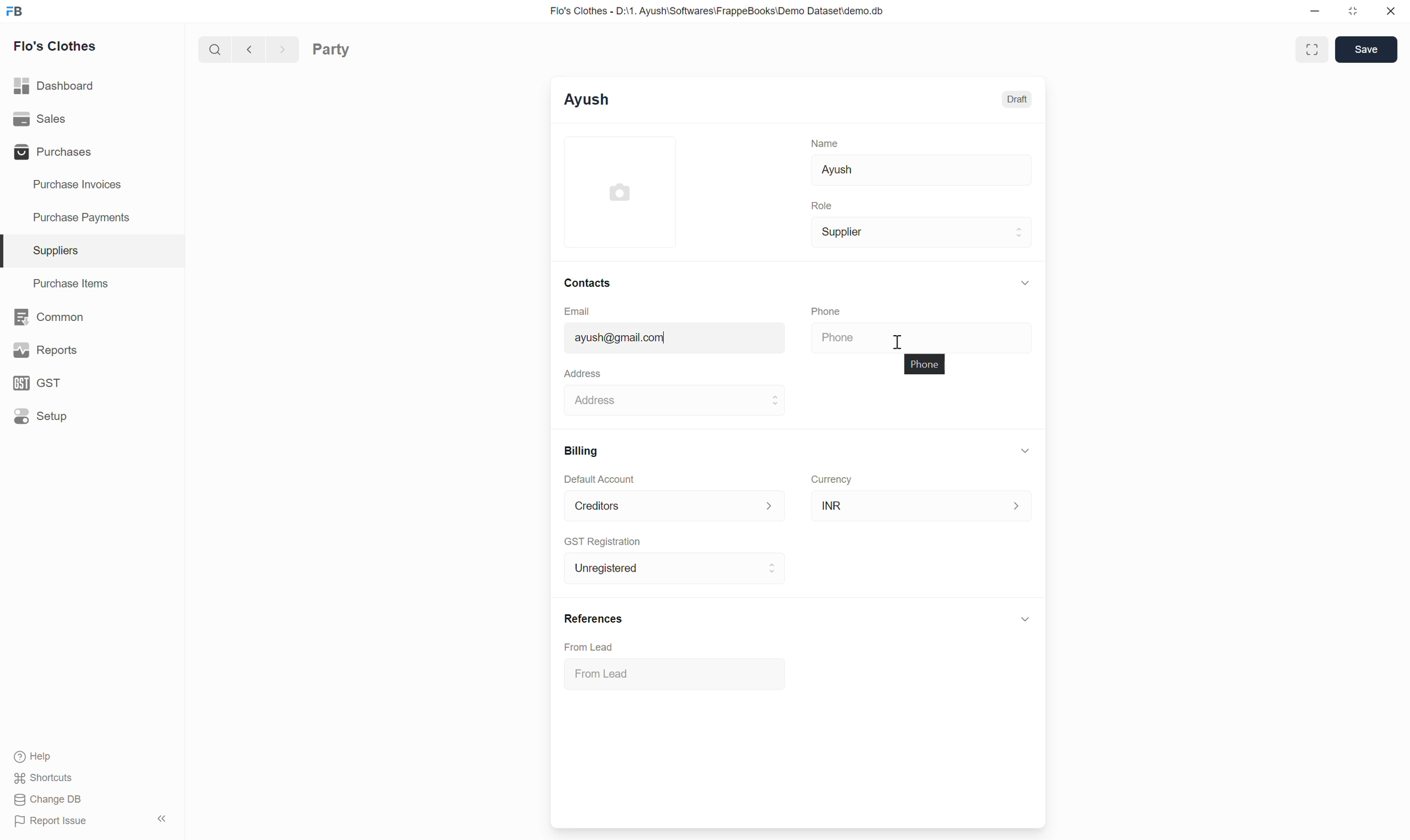 The height and width of the screenshot is (840, 1410). What do you see at coordinates (603, 542) in the screenshot?
I see `GST Registration` at bounding box center [603, 542].